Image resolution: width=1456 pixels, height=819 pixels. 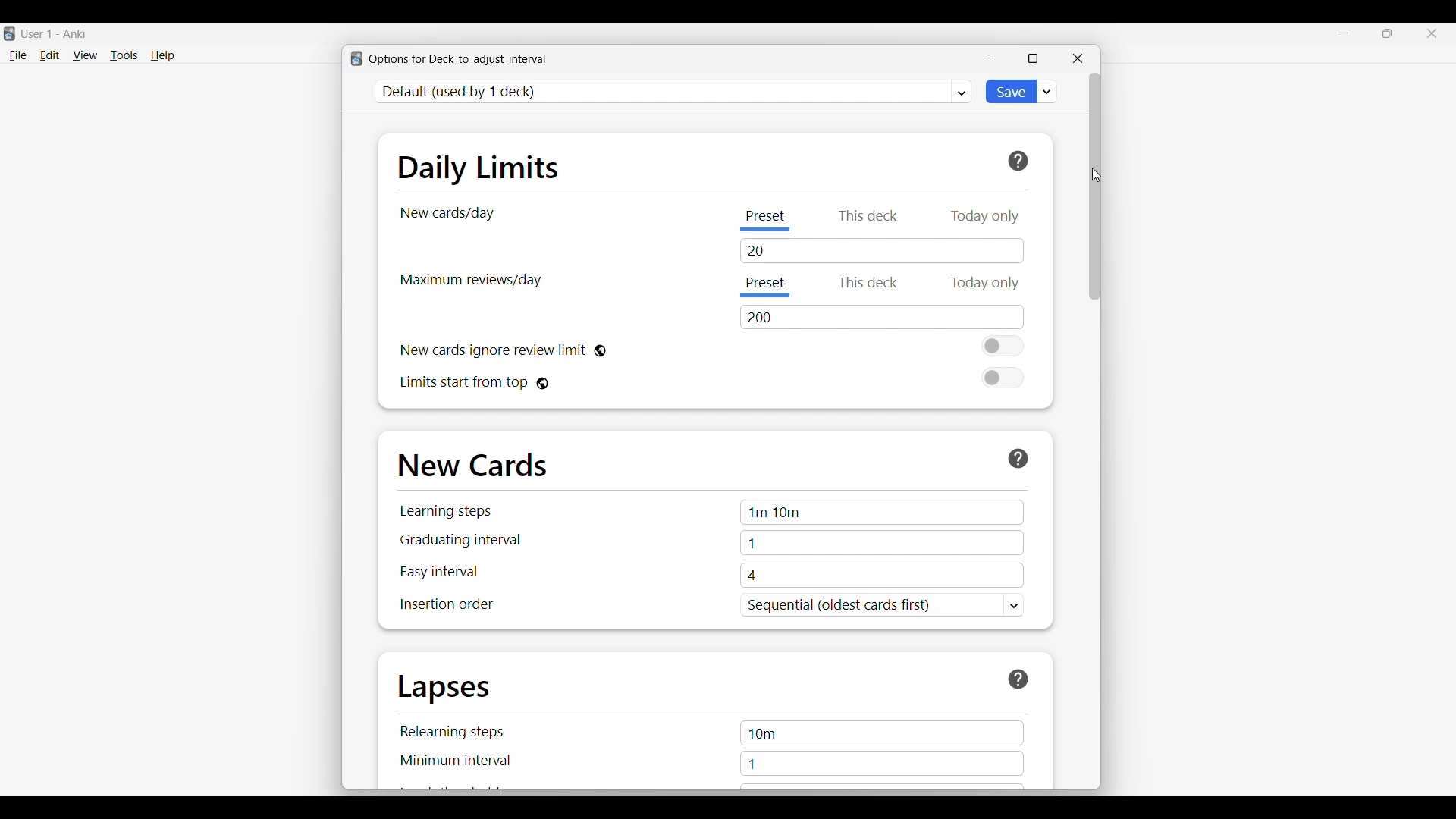 I want to click on Show interface in smaller tab, so click(x=1388, y=33).